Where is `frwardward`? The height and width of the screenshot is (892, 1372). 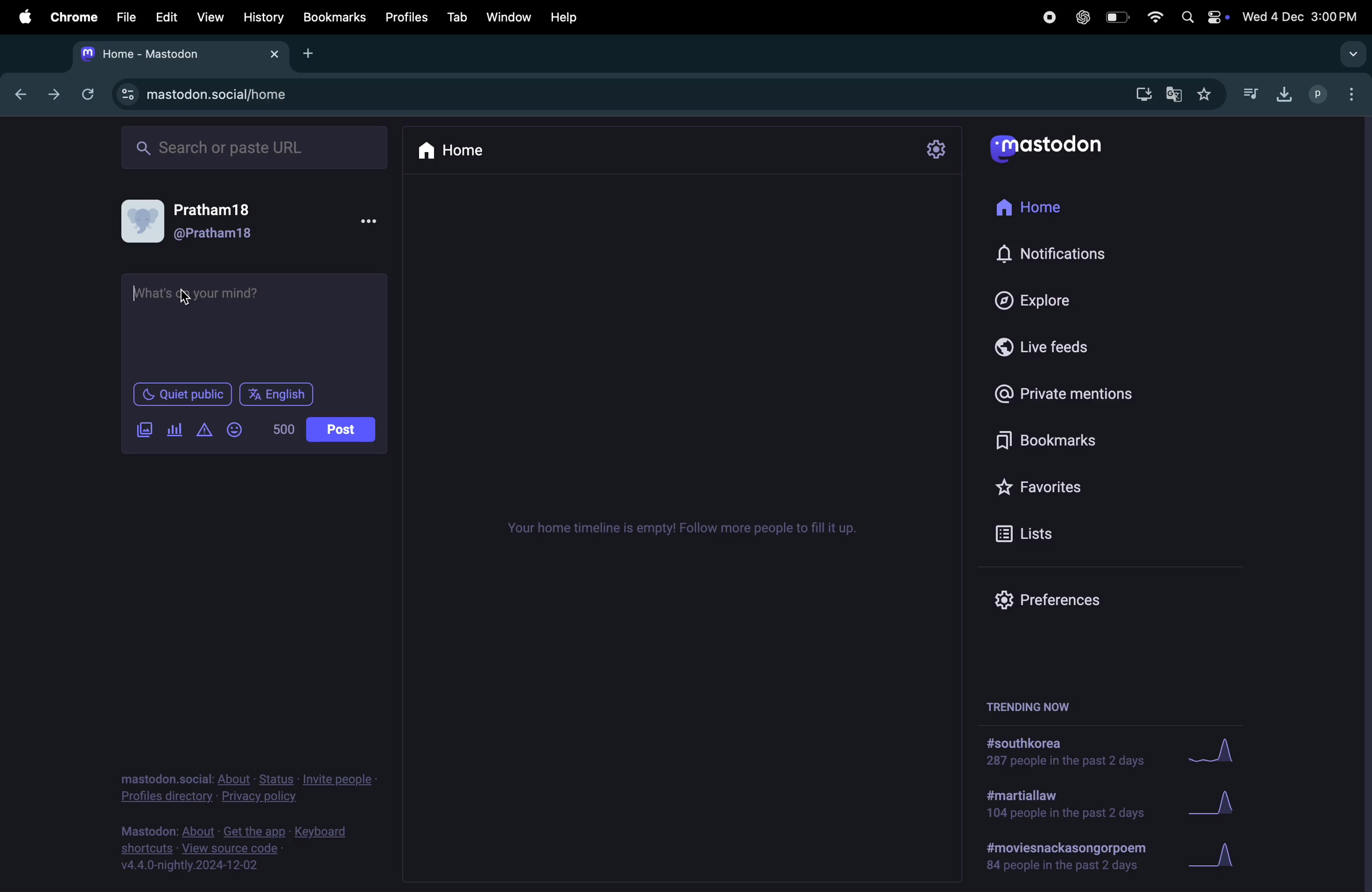 frwardward is located at coordinates (51, 96).